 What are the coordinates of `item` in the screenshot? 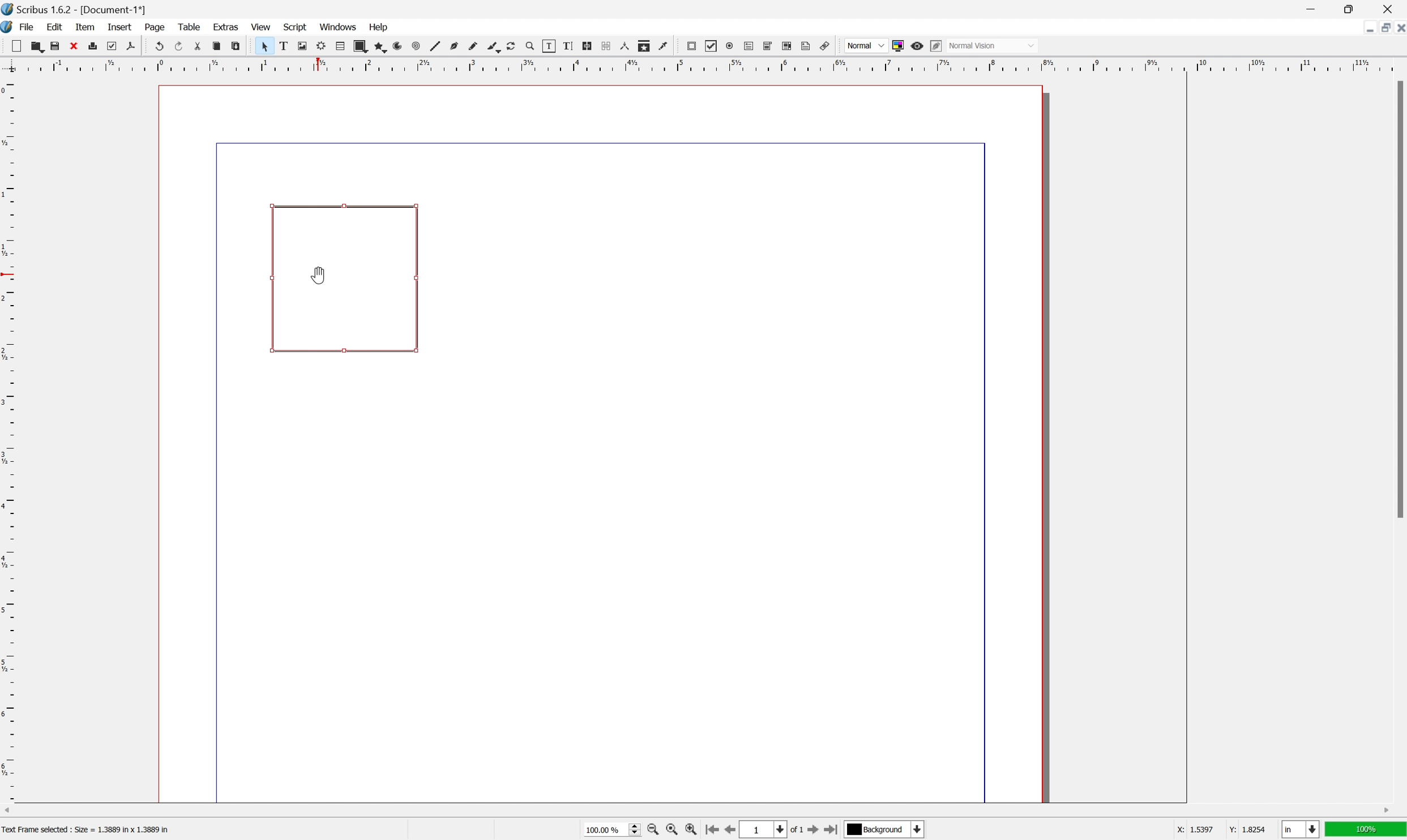 It's located at (87, 27).